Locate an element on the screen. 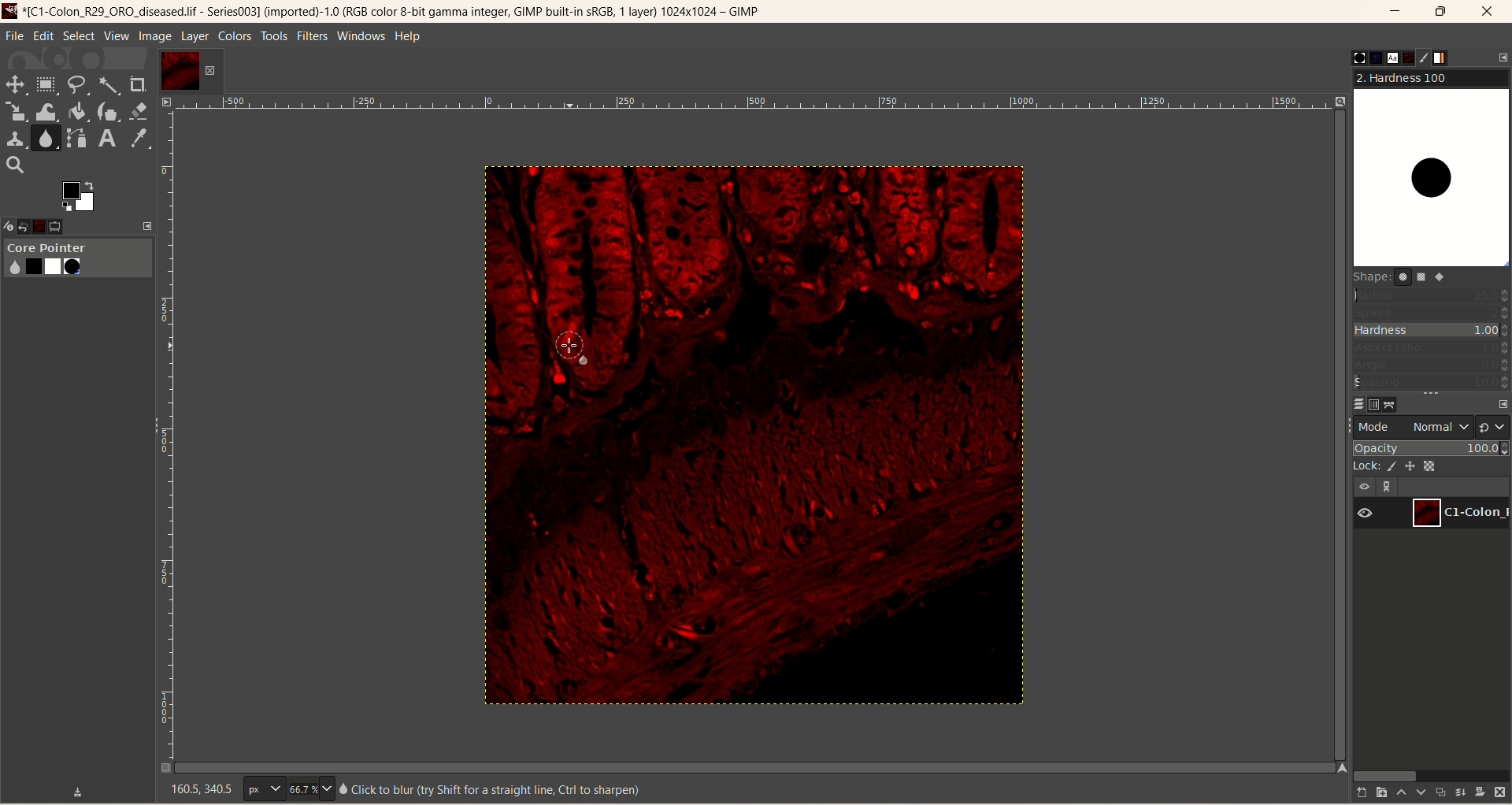 Image resolution: width=1512 pixels, height=805 pixels. ink tool is located at coordinates (108, 111).